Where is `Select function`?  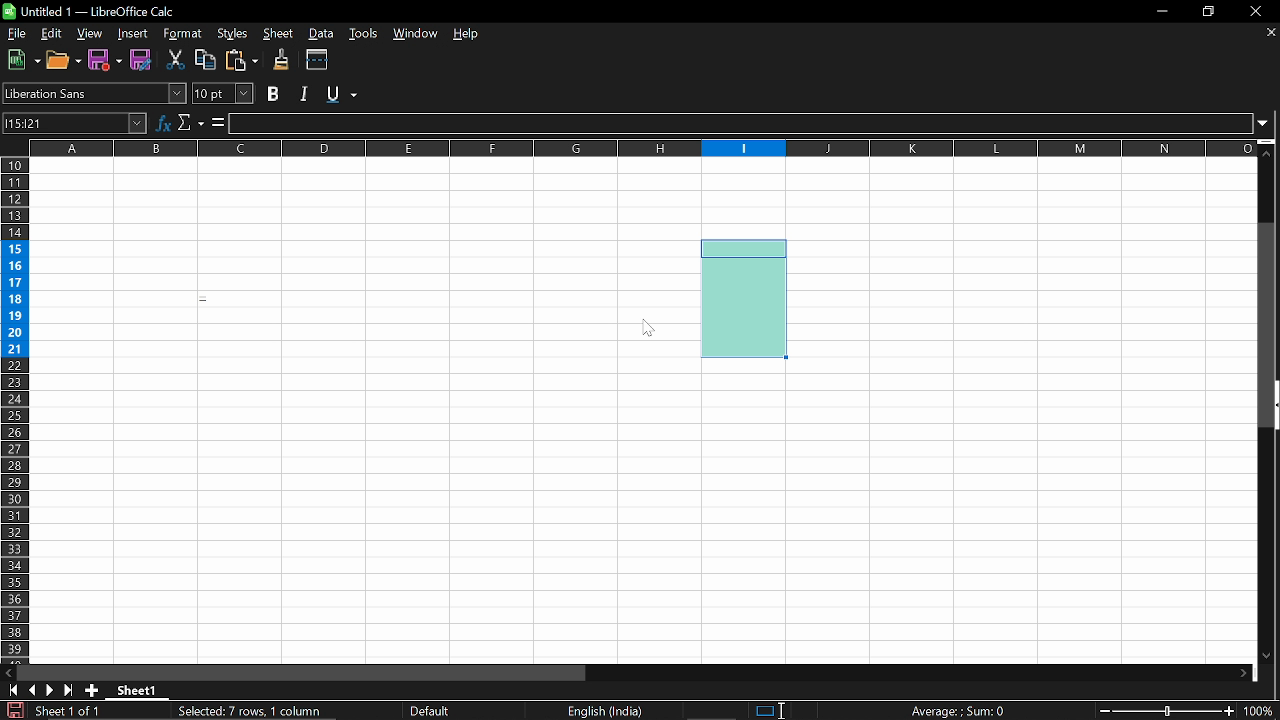
Select function is located at coordinates (191, 123).